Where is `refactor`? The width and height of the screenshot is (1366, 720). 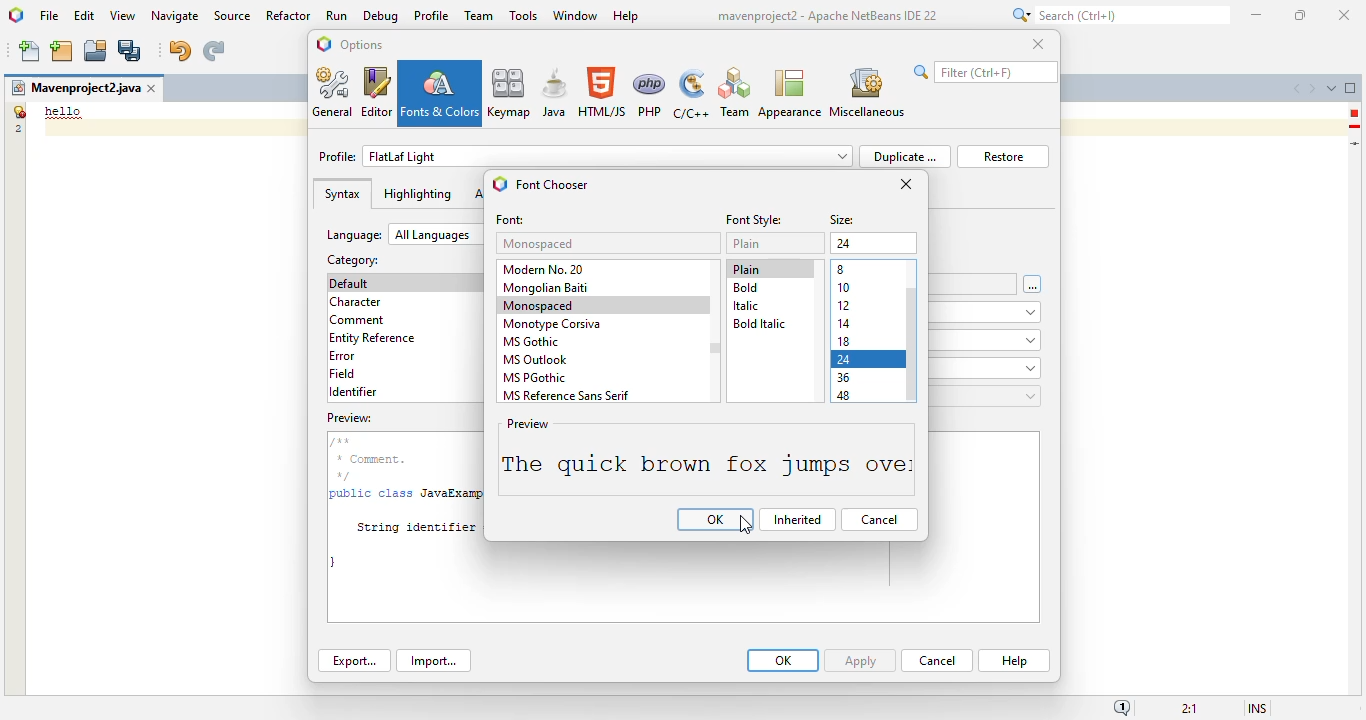
refactor is located at coordinates (289, 15).